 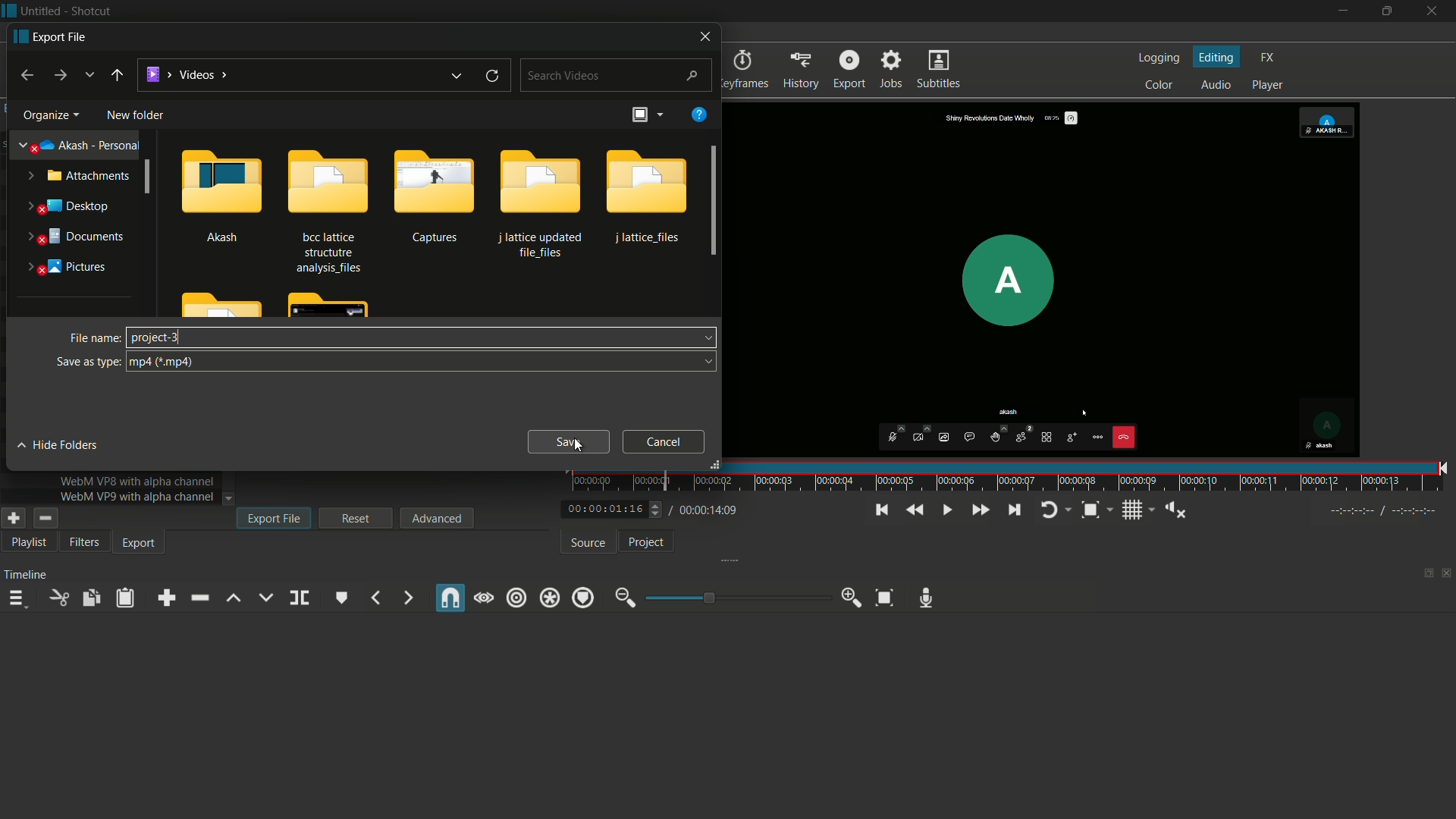 What do you see at coordinates (912, 510) in the screenshot?
I see `play quickly backward` at bounding box center [912, 510].